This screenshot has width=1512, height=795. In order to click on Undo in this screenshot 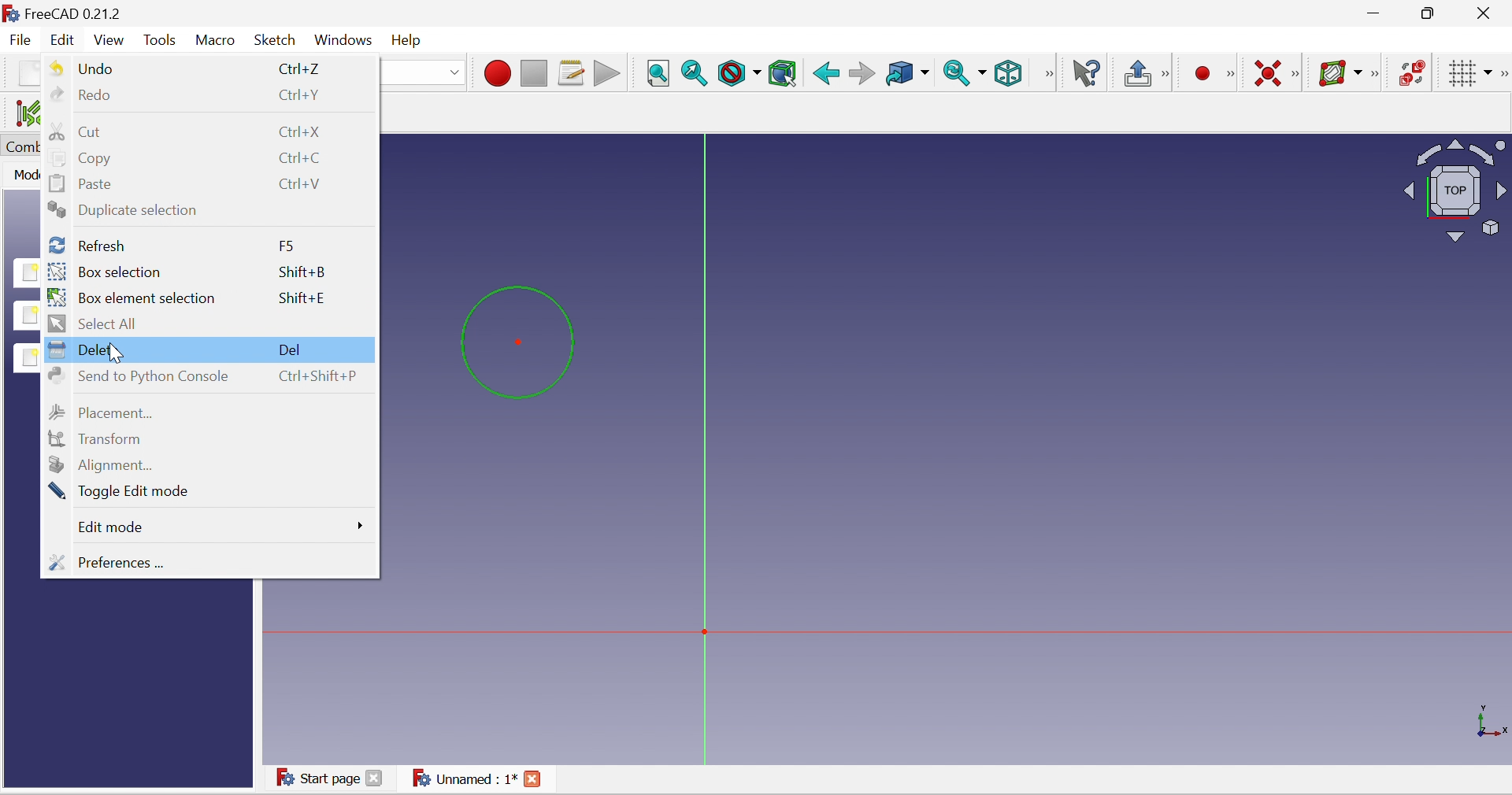, I will do `click(80, 68)`.